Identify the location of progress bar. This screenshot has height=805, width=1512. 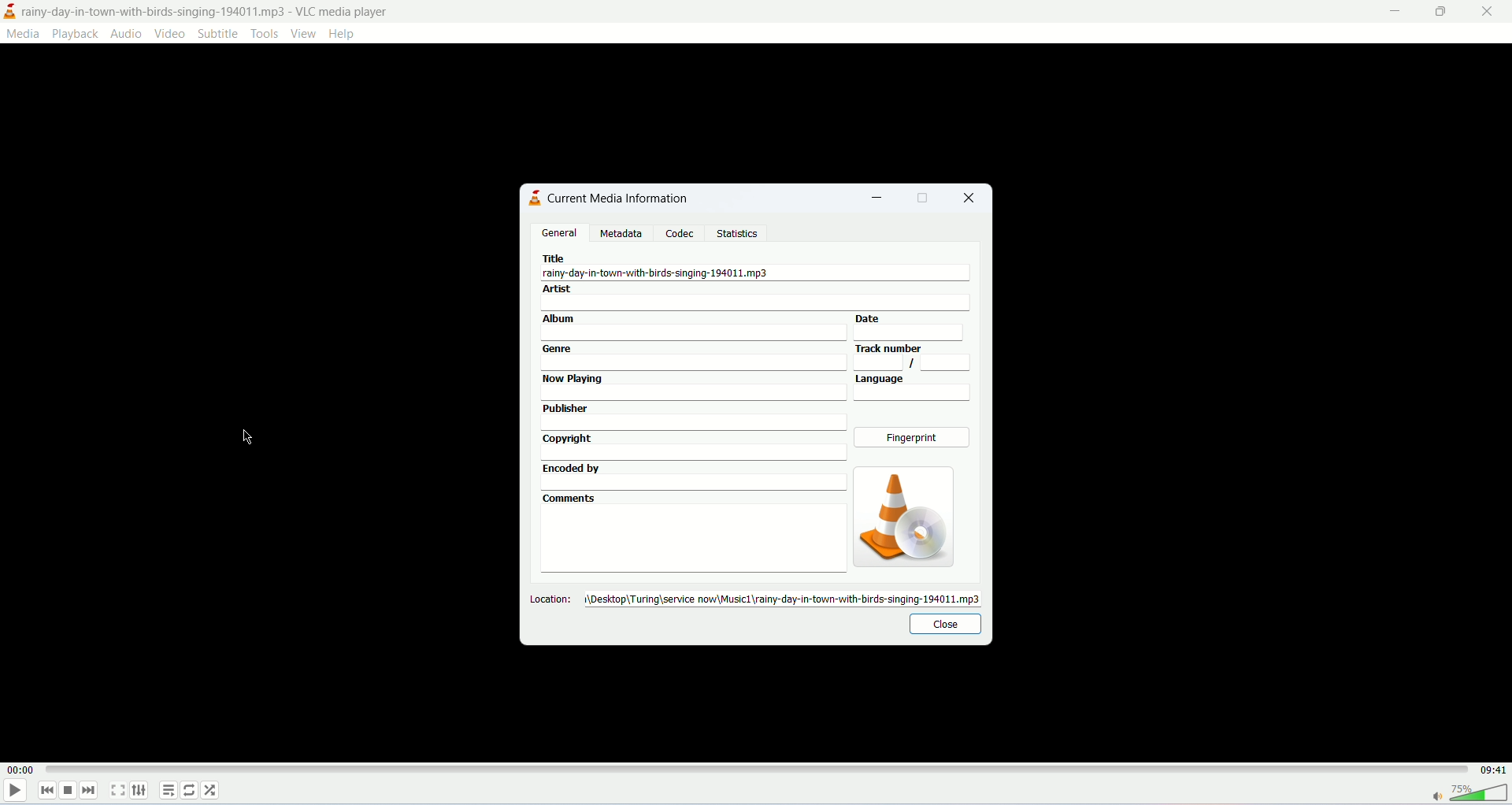
(757, 765).